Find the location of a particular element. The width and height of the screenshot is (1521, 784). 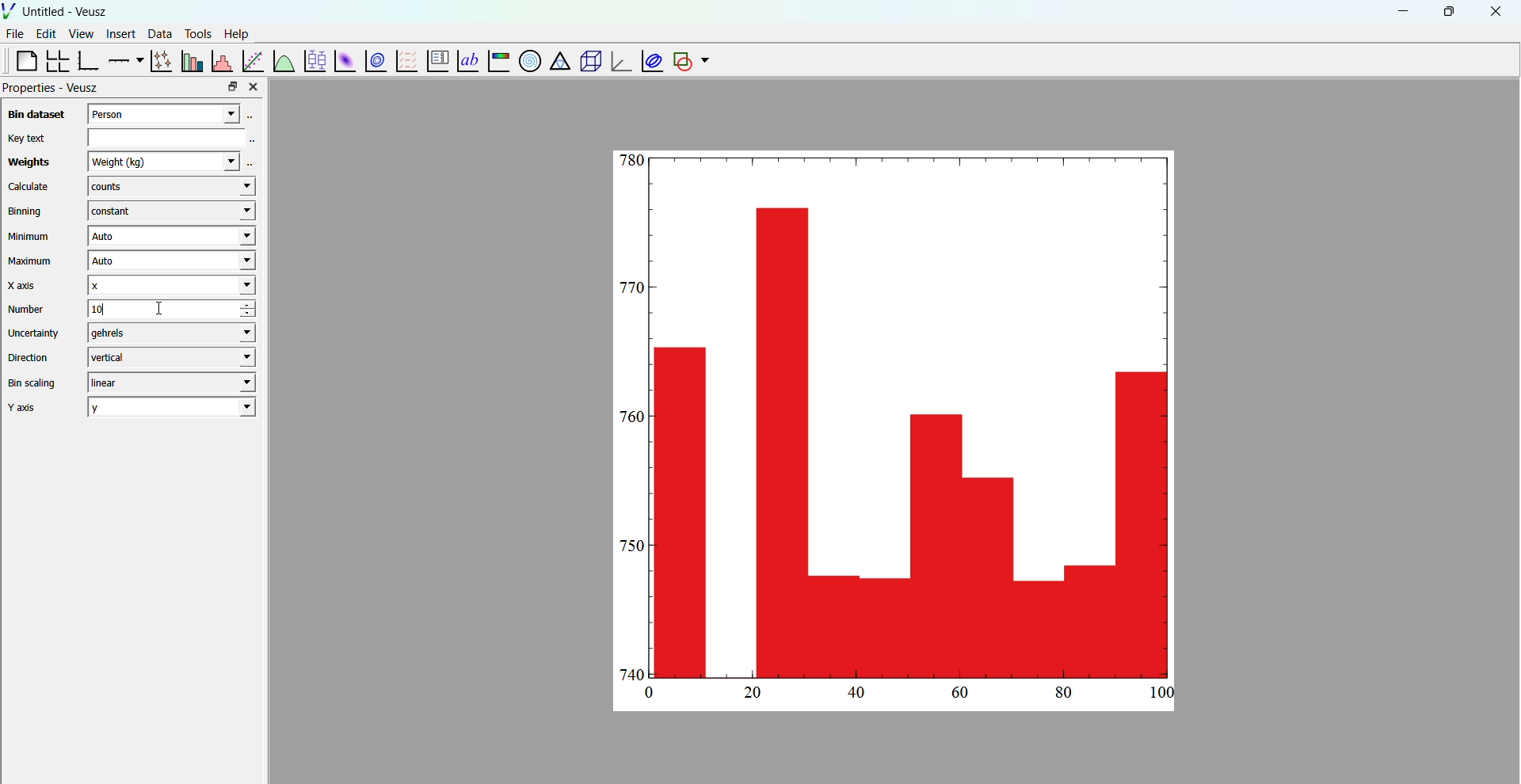

insert is located at coordinates (118, 32).